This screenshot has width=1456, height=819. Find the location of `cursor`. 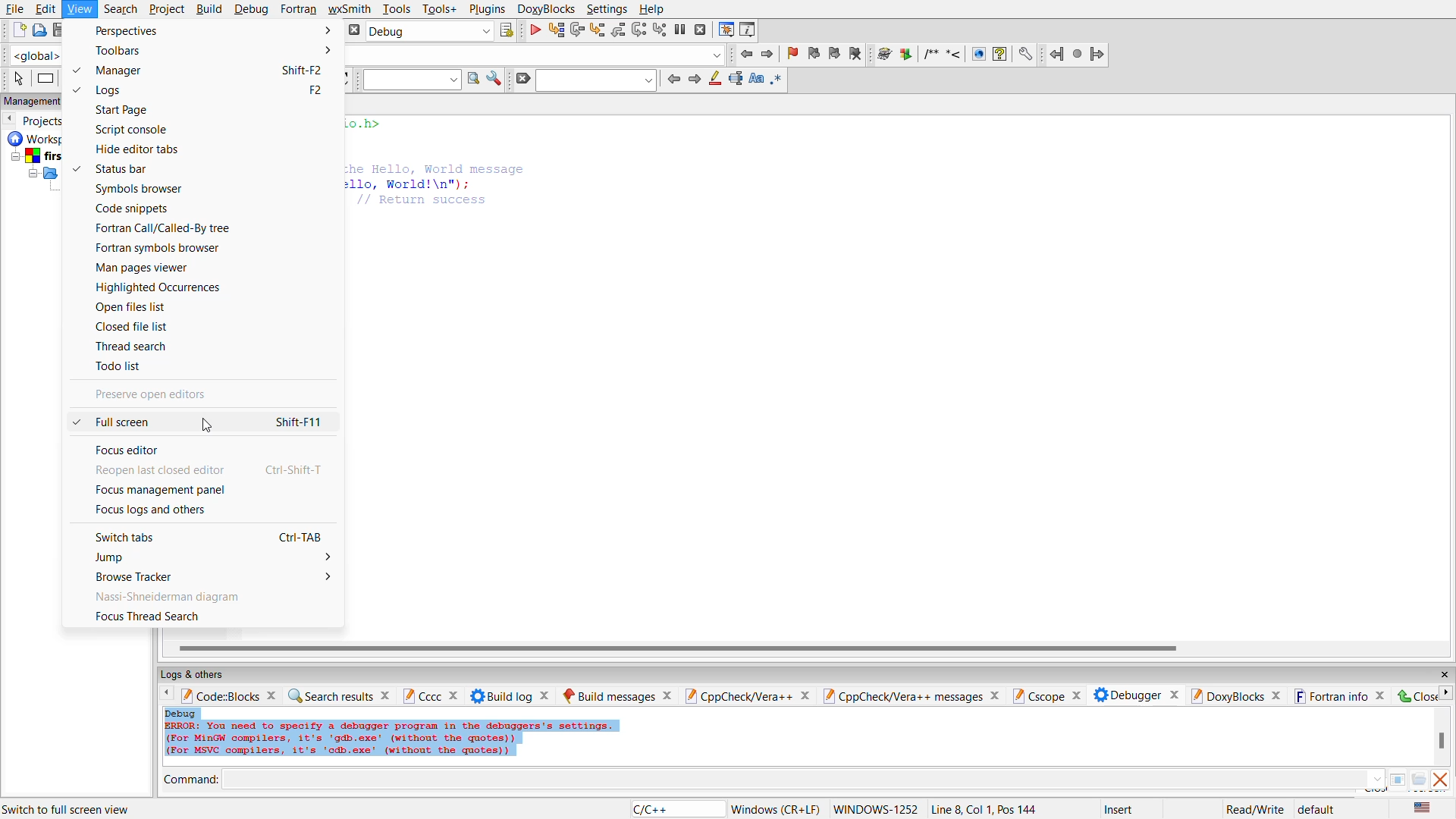

cursor is located at coordinates (213, 428).